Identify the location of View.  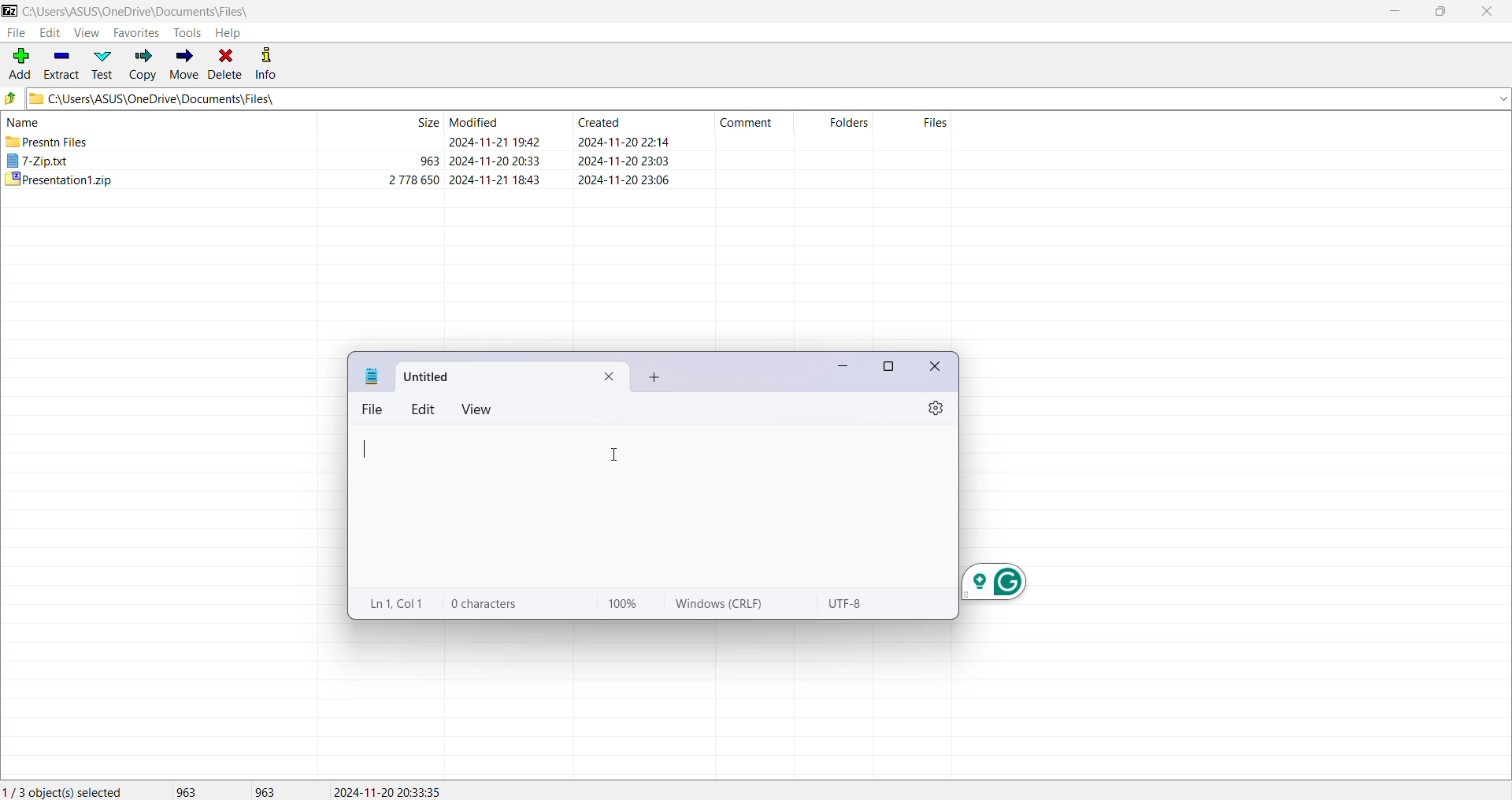
(86, 33).